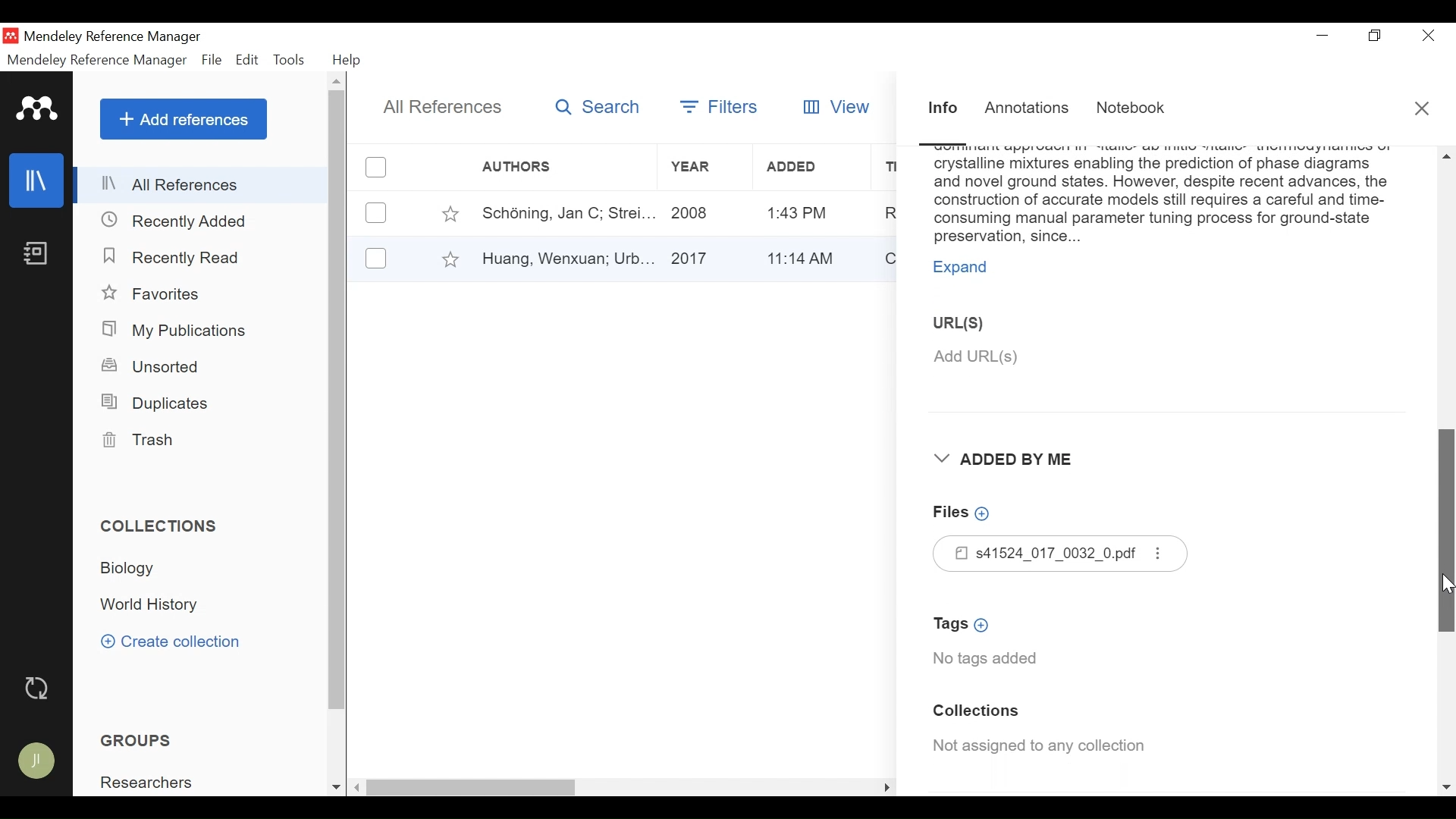 Image resolution: width=1456 pixels, height=819 pixels. What do you see at coordinates (338, 400) in the screenshot?
I see `Vertical Scroll bar` at bounding box center [338, 400].